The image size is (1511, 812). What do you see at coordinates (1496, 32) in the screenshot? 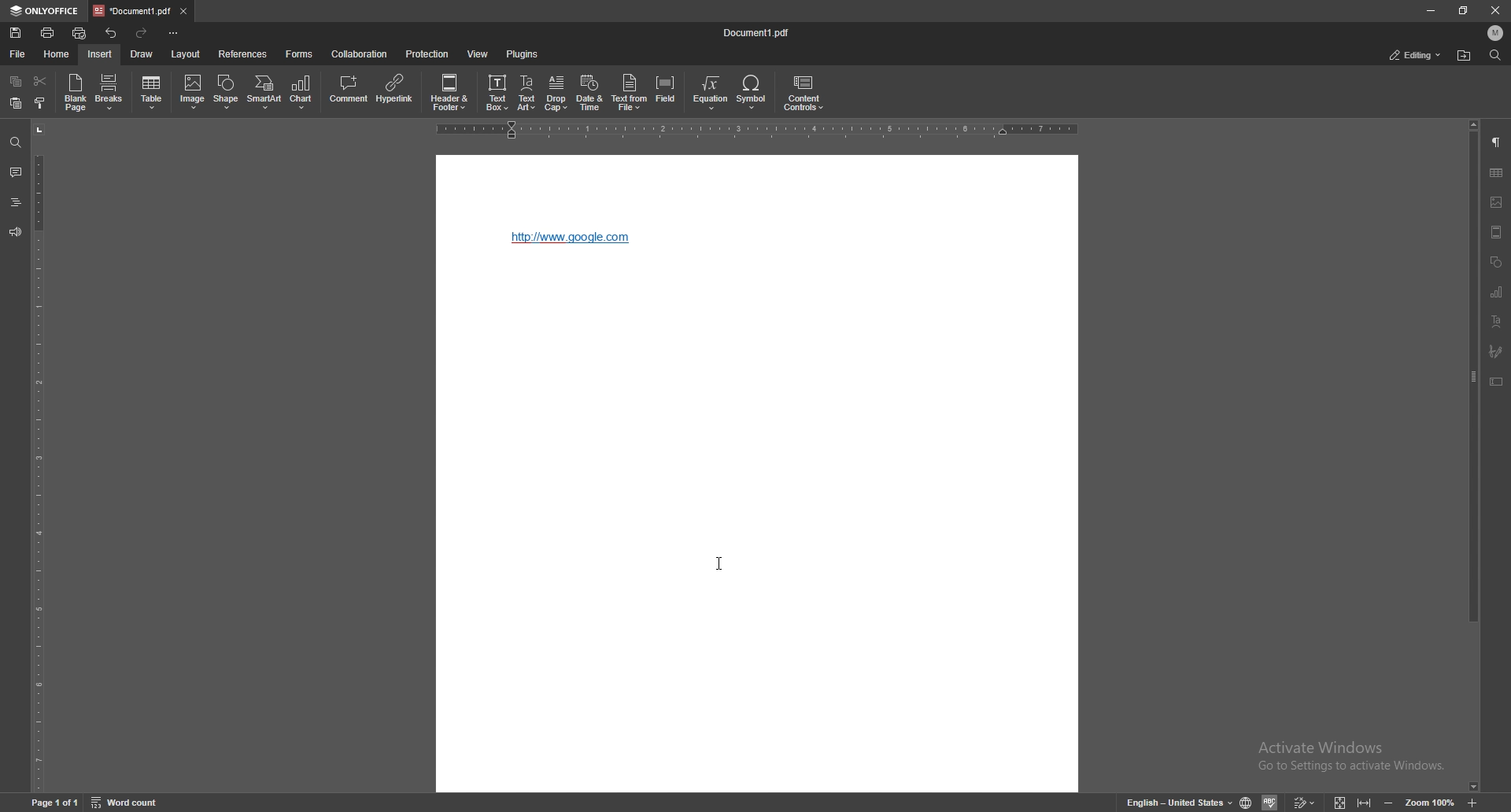
I see `profile` at bounding box center [1496, 32].